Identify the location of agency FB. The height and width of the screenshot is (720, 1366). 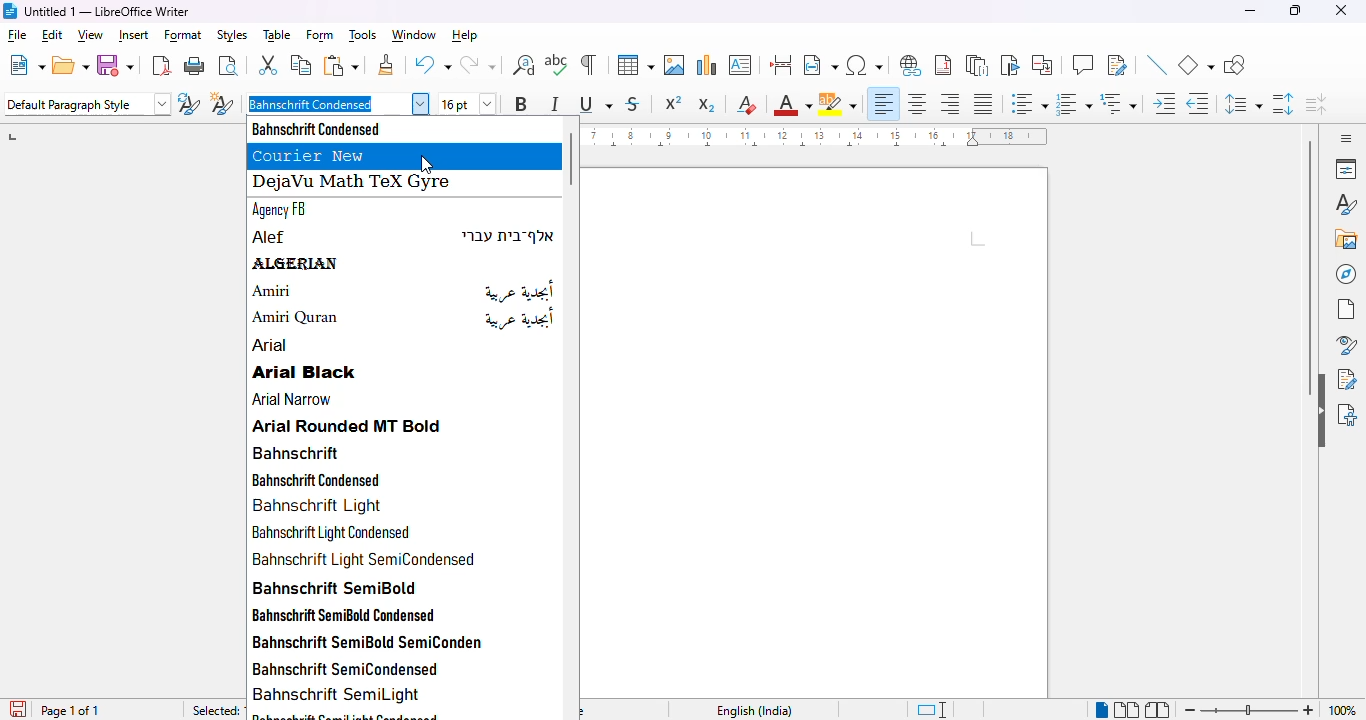
(286, 210).